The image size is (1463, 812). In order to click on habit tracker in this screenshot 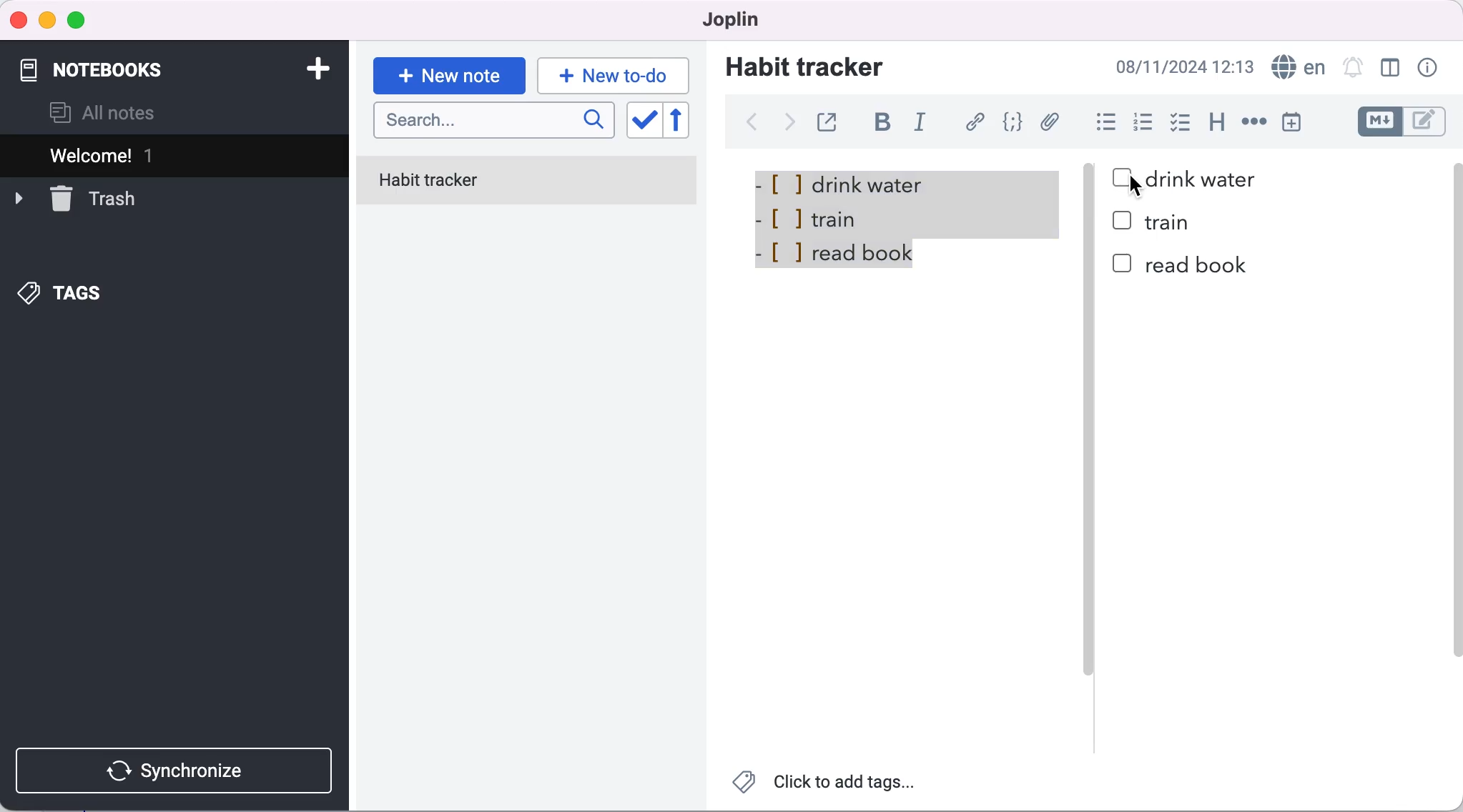, I will do `click(804, 66)`.